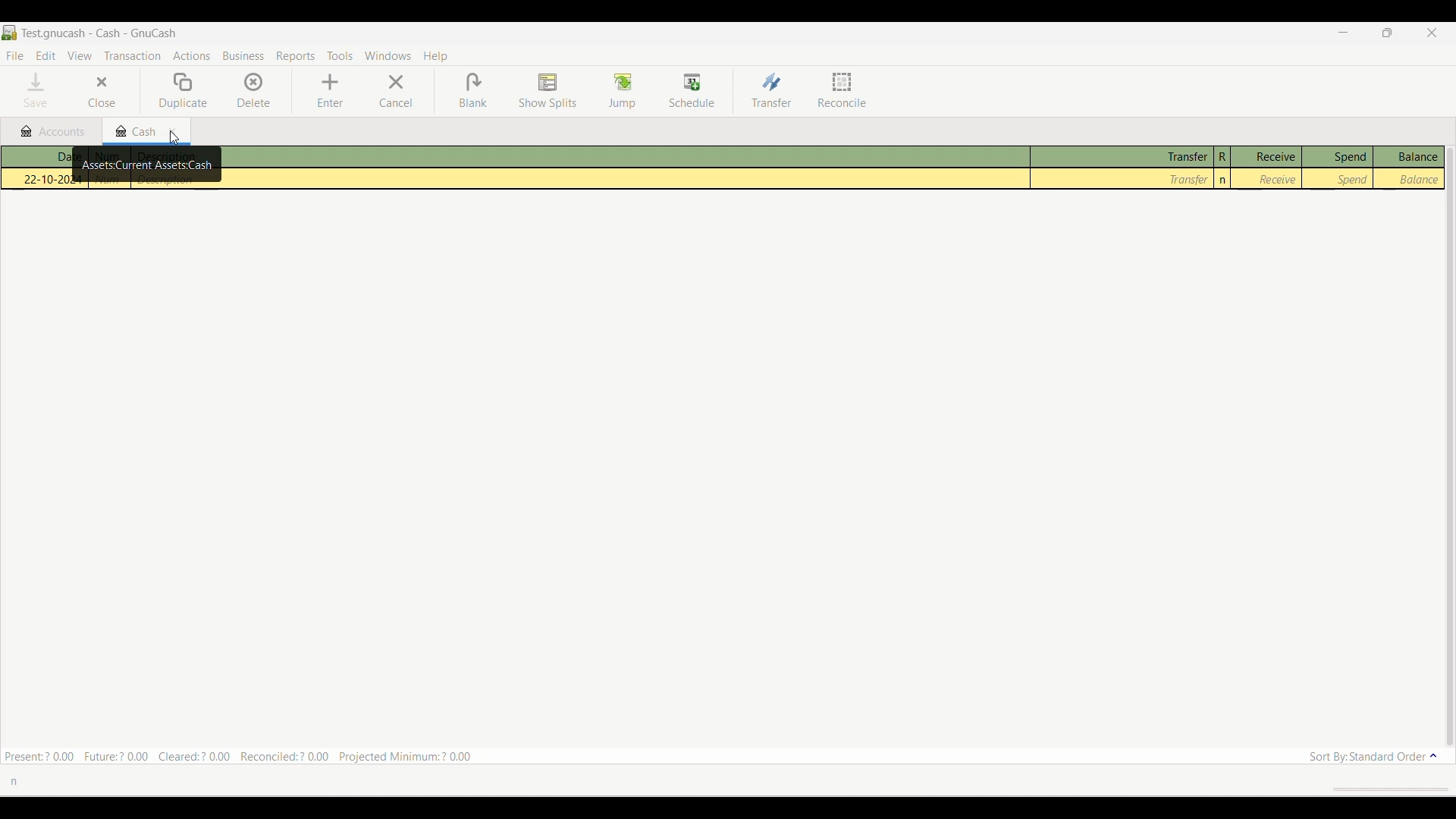 This screenshot has height=819, width=1456. Describe the element at coordinates (15, 55) in the screenshot. I see `File` at that location.